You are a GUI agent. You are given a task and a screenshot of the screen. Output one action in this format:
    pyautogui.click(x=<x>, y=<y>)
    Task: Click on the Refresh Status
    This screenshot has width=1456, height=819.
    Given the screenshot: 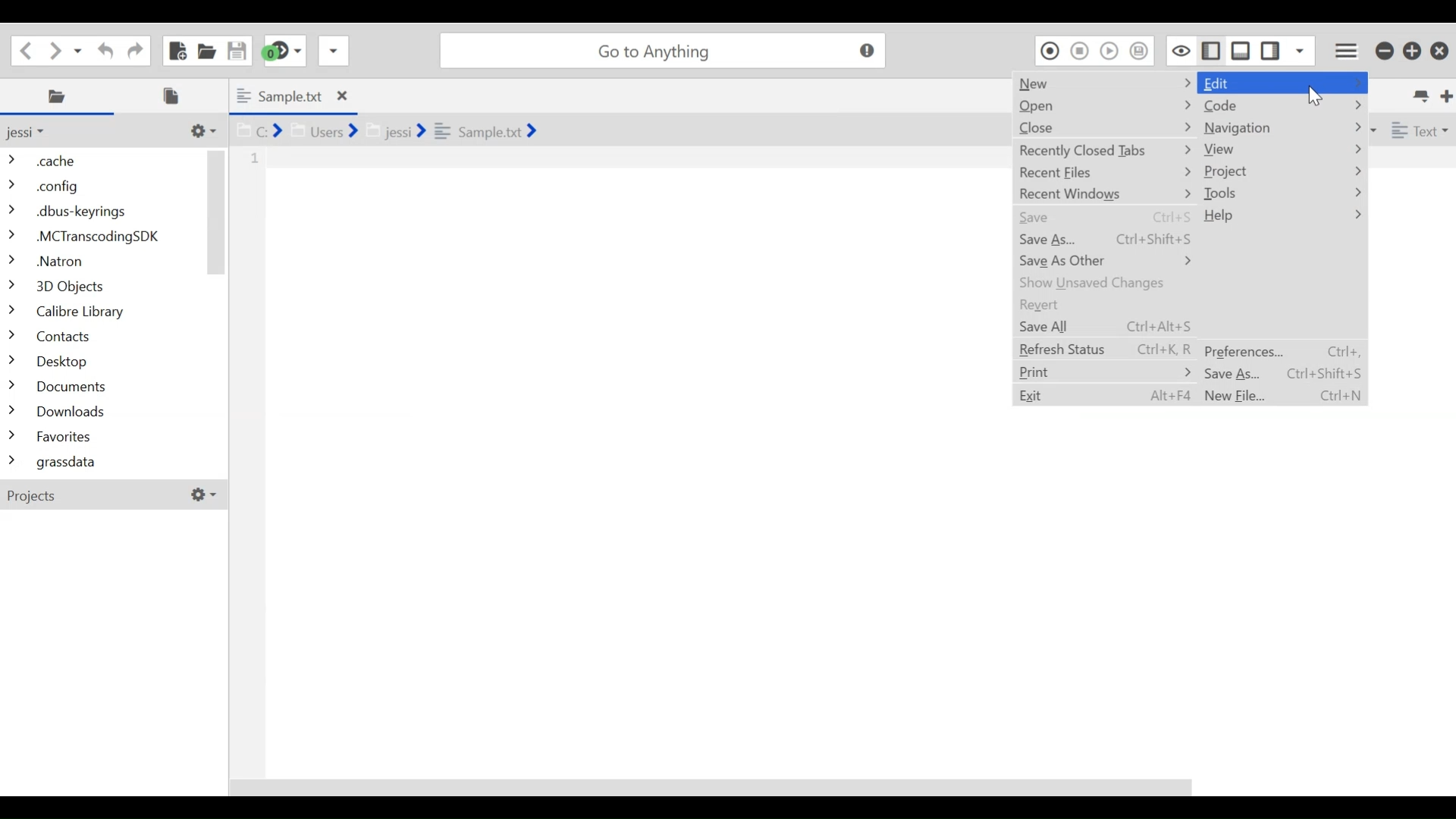 What is the action you would take?
    pyautogui.click(x=1105, y=347)
    